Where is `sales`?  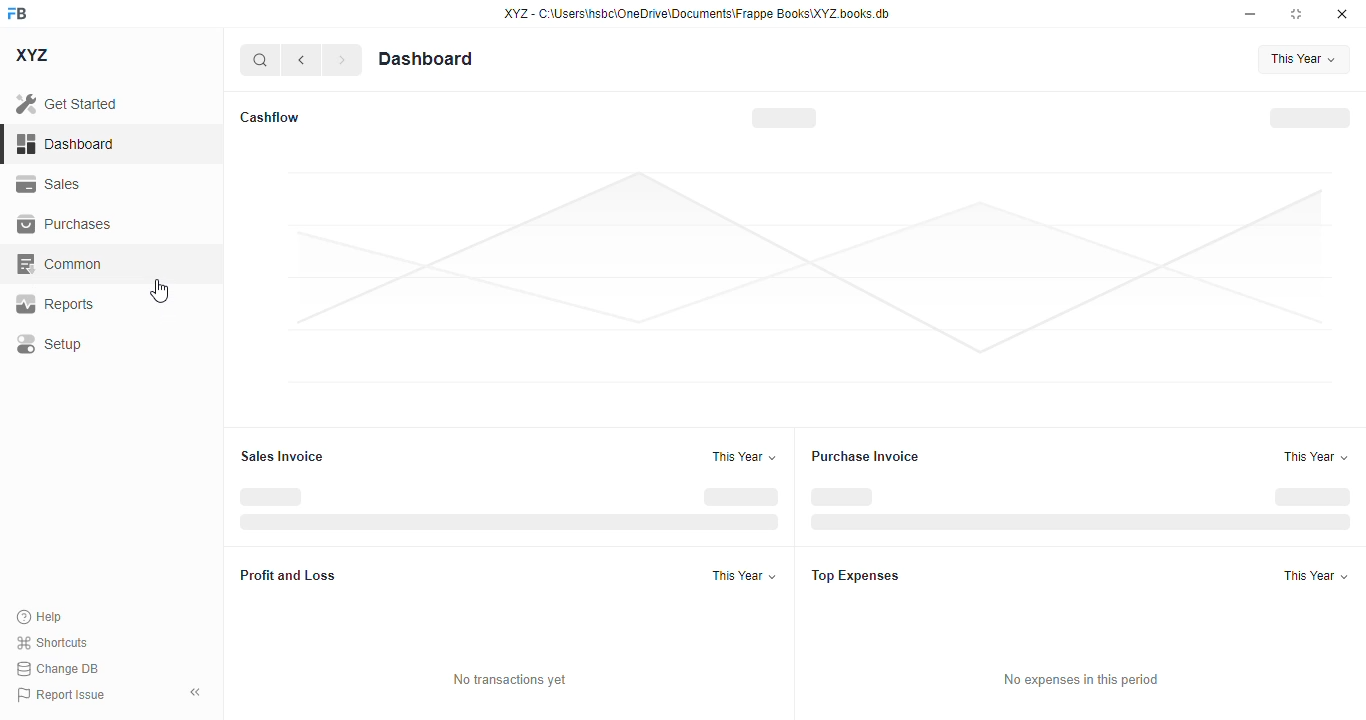
sales is located at coordinates (51, 185).